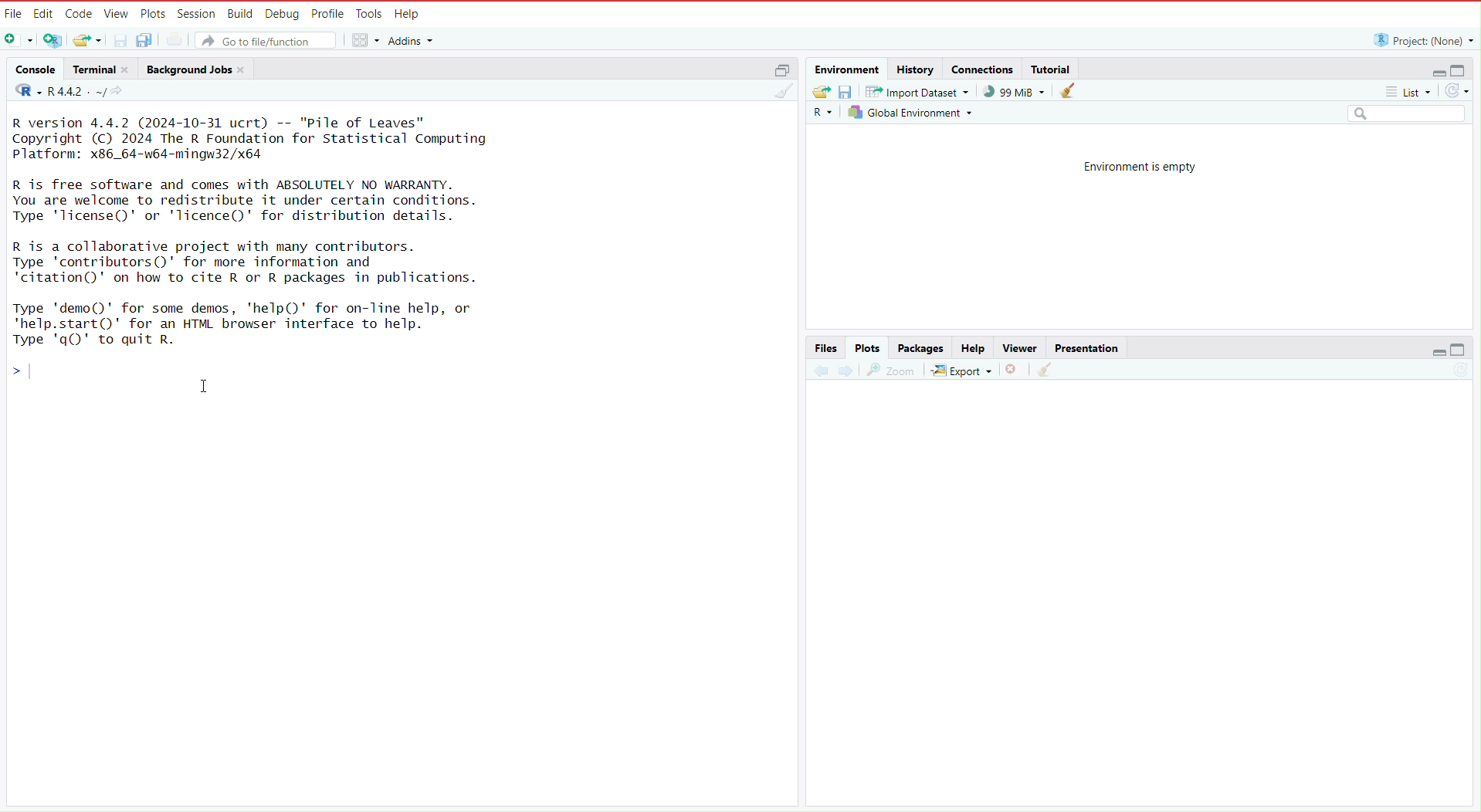  What do you see at coordinates (892, 370) in the screenshot?
I see `view a larger version of plot in new window` at bounding box center [892, 370].